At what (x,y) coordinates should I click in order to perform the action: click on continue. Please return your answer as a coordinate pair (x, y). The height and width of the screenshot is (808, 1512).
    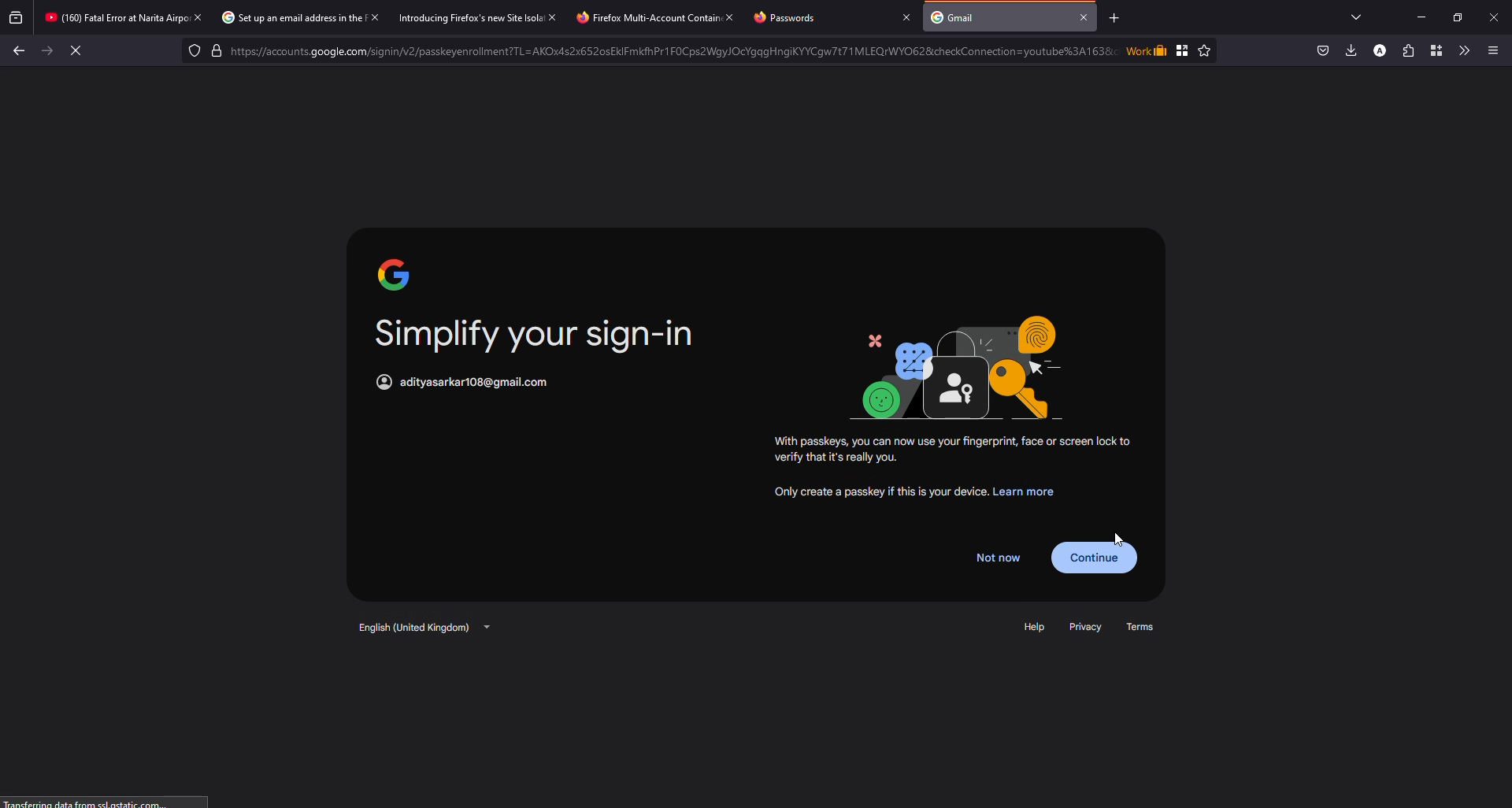
    Looking at the image, I should click on (1101, 555).